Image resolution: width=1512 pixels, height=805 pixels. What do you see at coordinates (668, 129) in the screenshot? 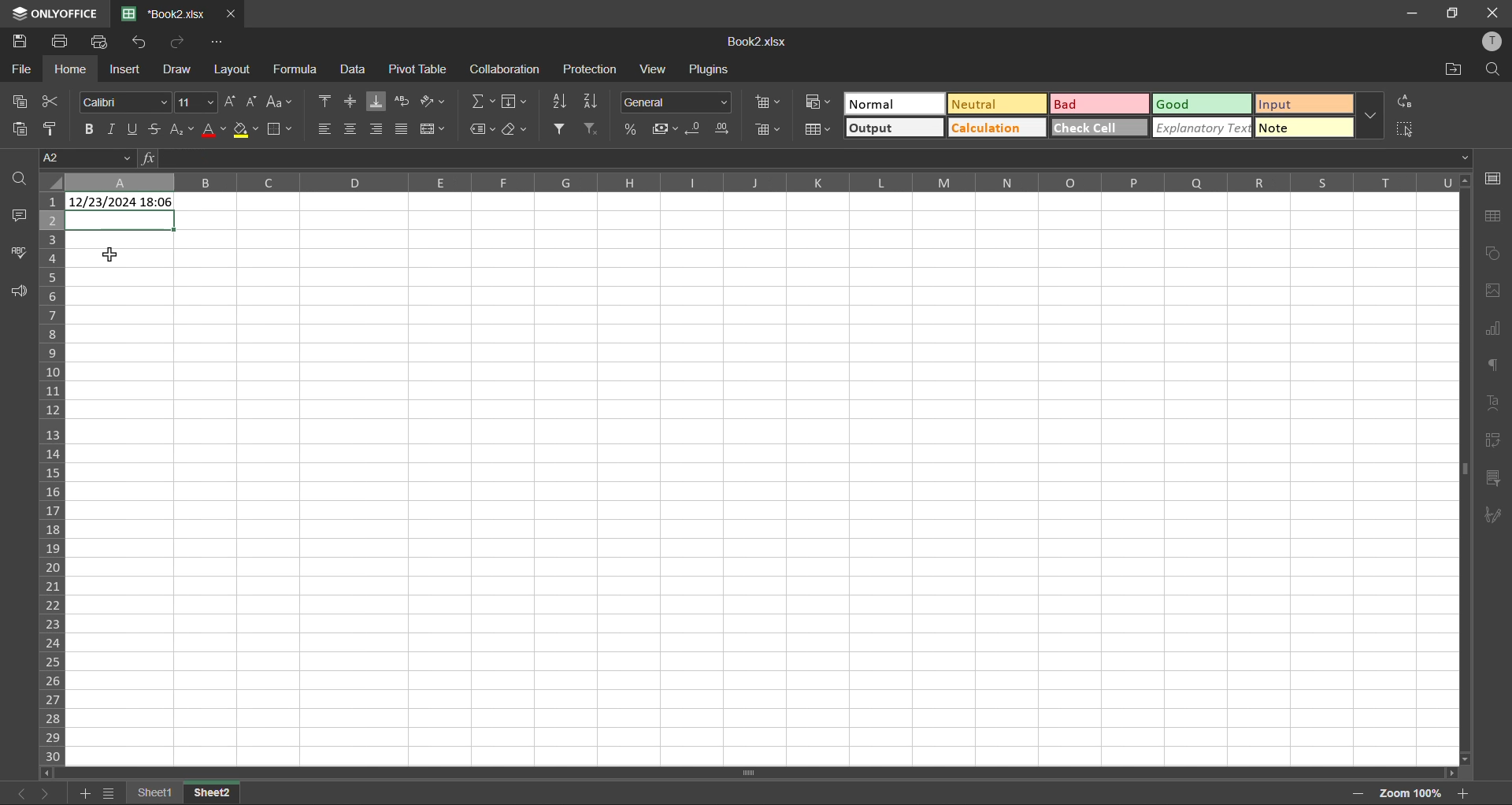
I see `accounting` at bounding box center [668, 129].